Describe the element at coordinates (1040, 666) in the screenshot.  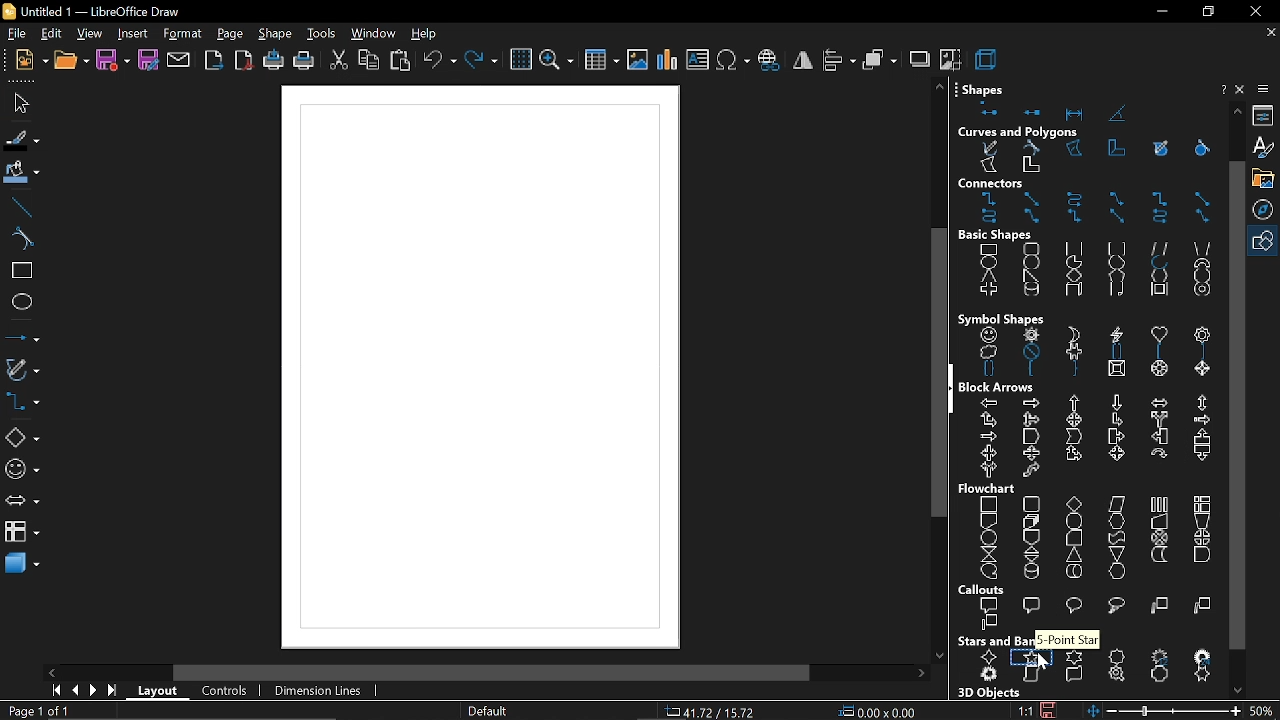
I see `cursor` at that location.